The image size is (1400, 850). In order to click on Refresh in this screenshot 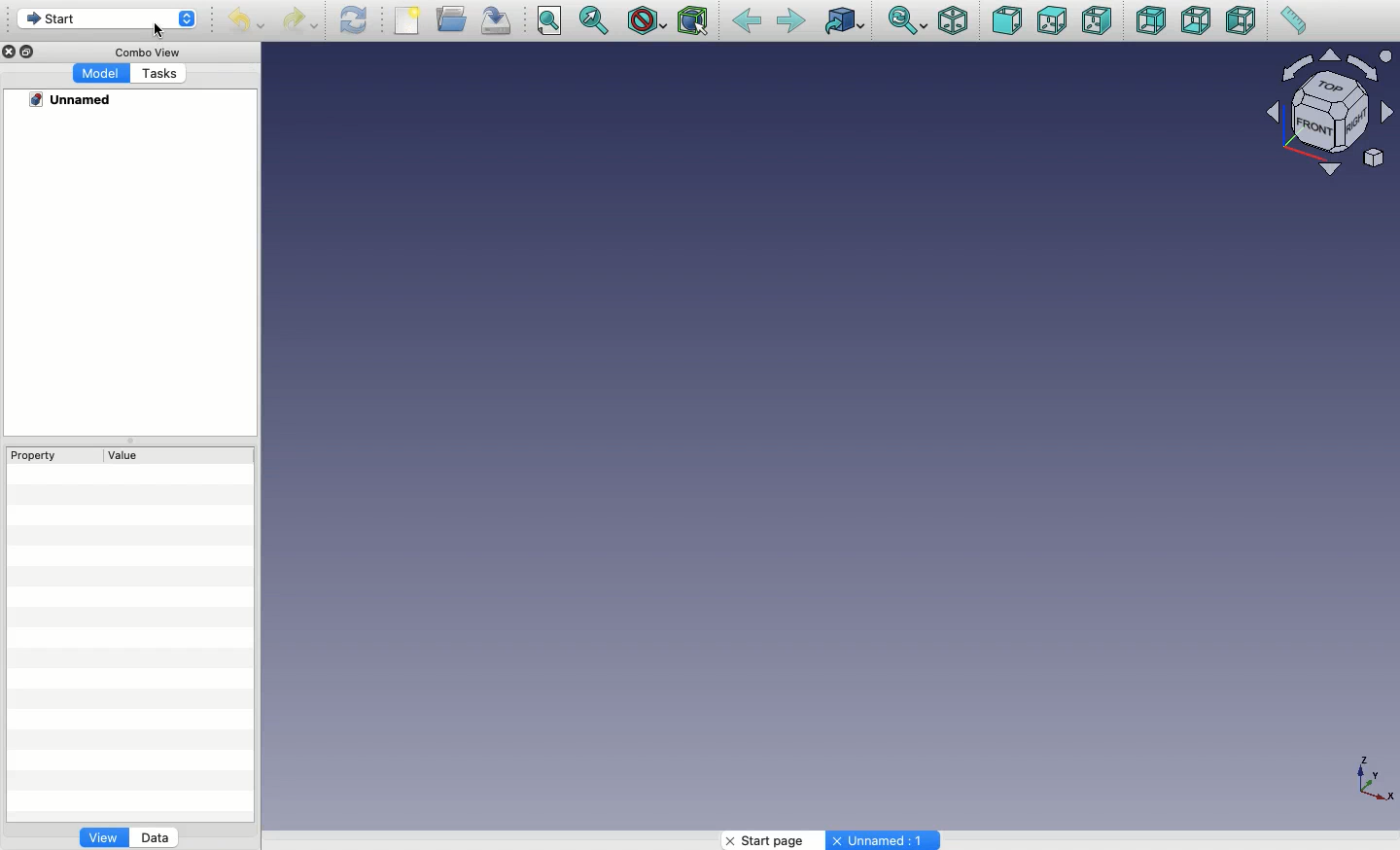, I will do `click(353, 20)`.